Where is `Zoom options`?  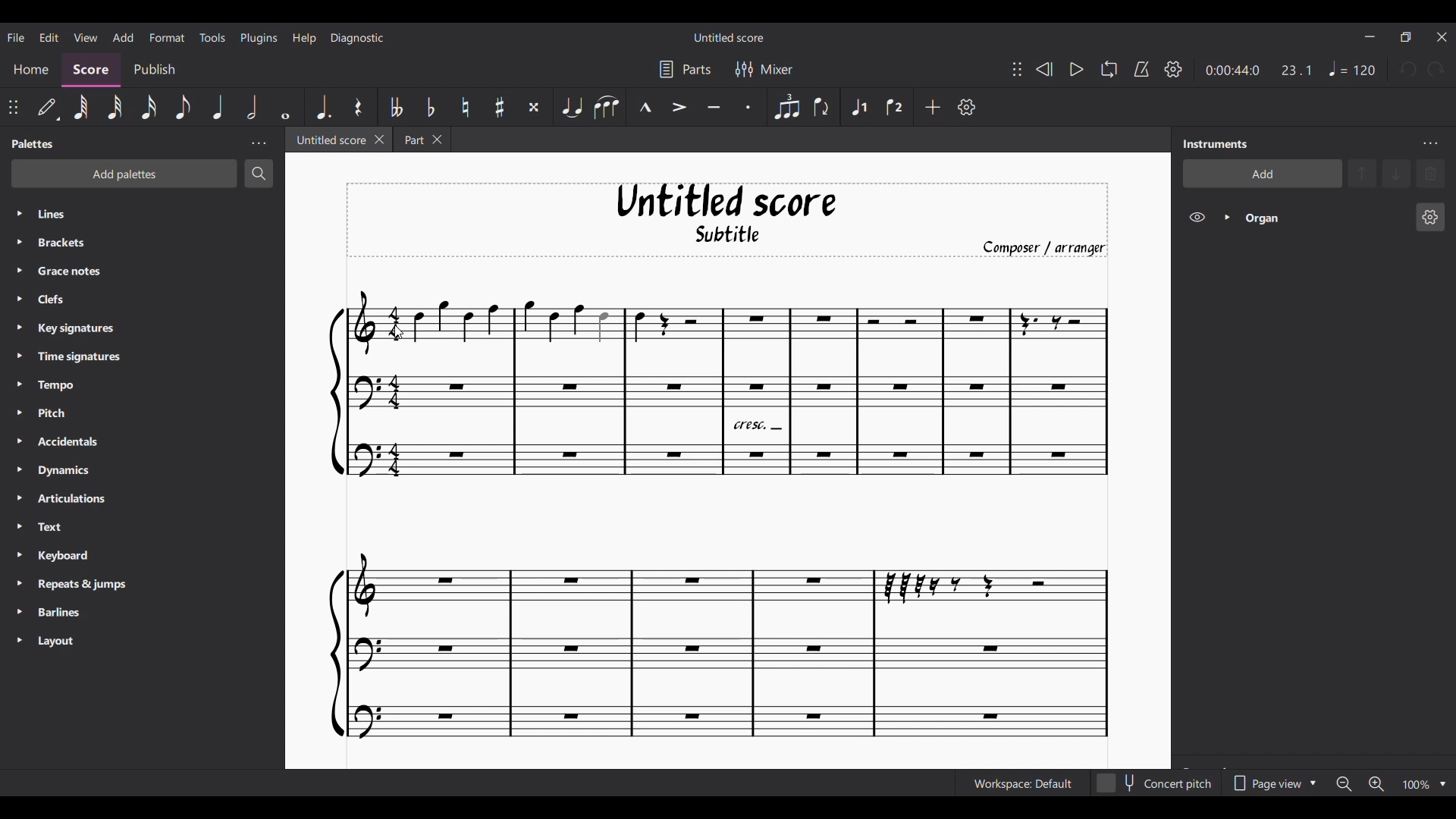 Zoom options is located at coordinates (1443, 785).